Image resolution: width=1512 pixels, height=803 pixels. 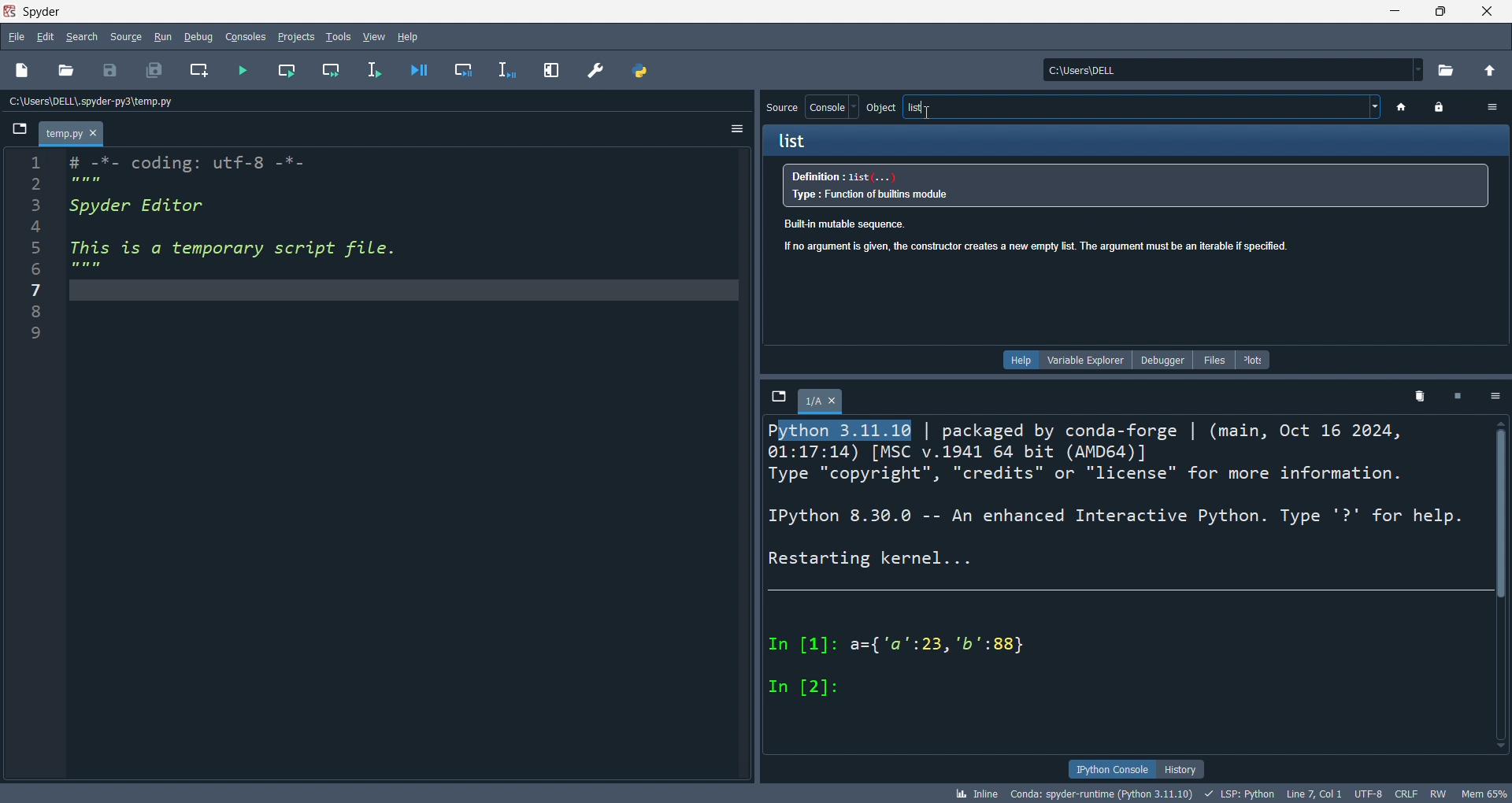 I want to click on save, so click(x=116, y=70).